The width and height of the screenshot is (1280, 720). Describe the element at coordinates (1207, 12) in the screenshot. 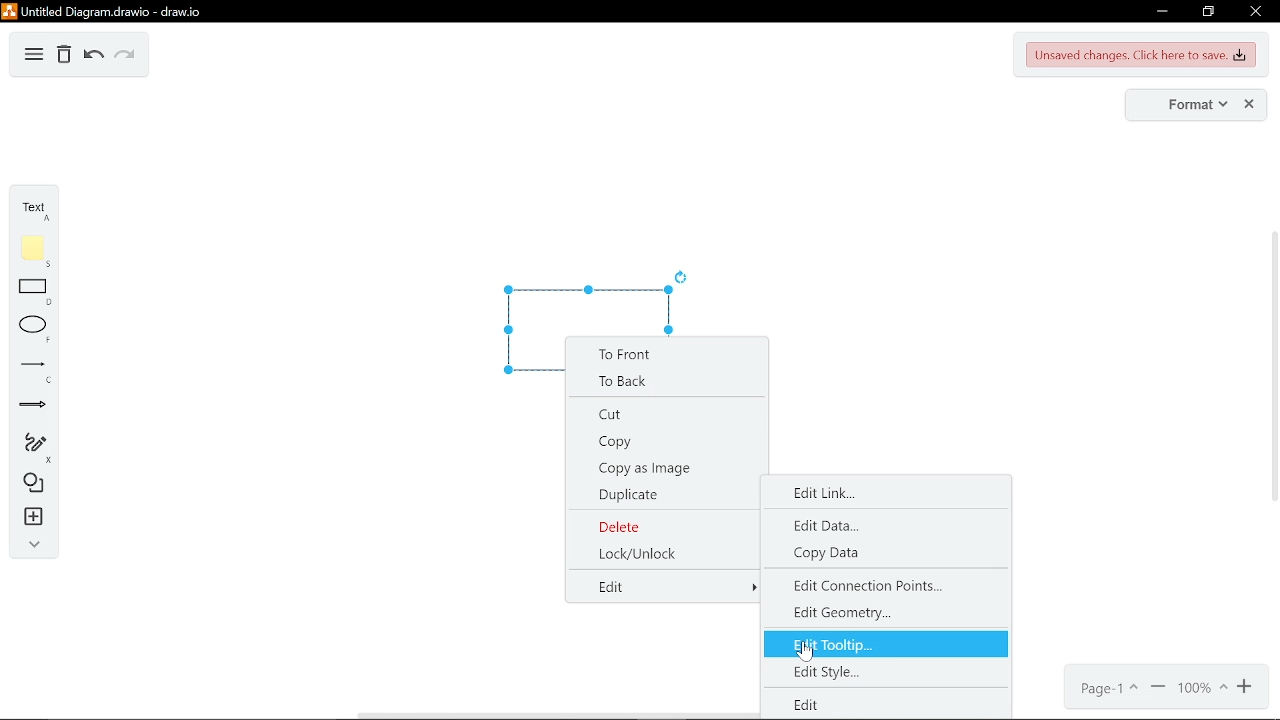

I see `restore down` at that location.